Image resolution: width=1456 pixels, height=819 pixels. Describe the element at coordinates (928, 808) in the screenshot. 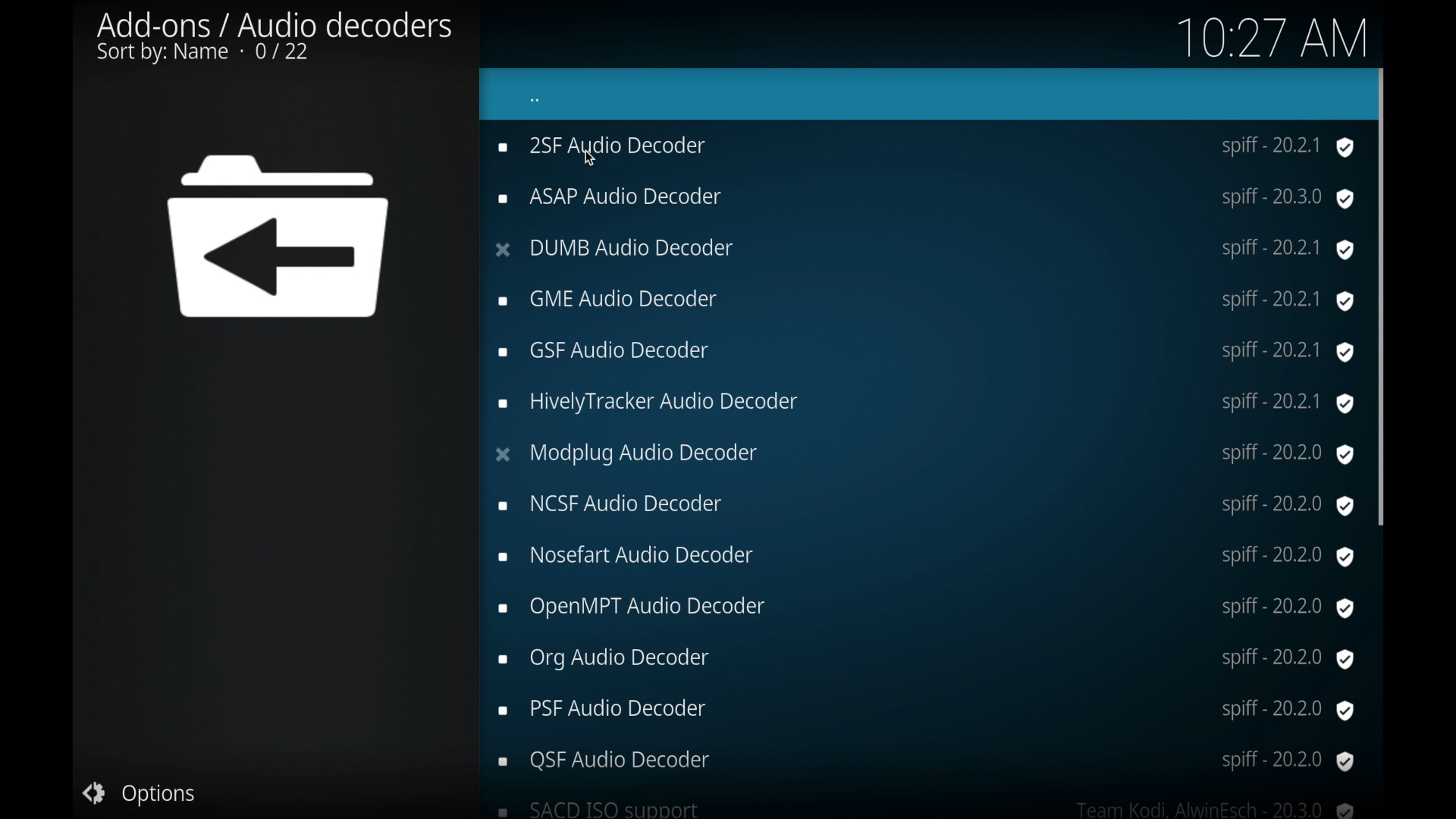

I see `sacd iso support` at that location.